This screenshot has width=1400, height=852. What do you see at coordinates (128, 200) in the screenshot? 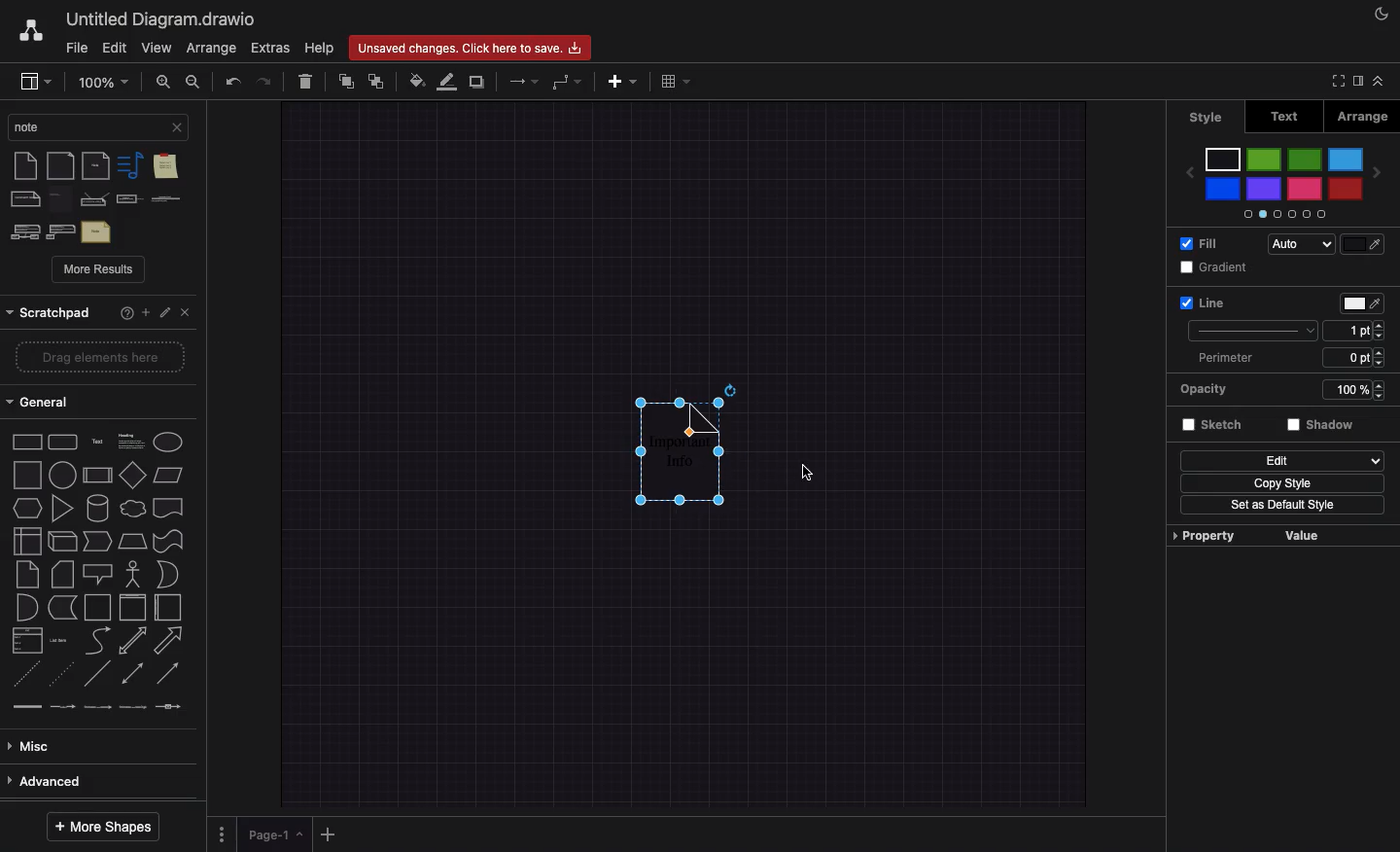
I see `constraint textual note` at bounding box center [128, 200].